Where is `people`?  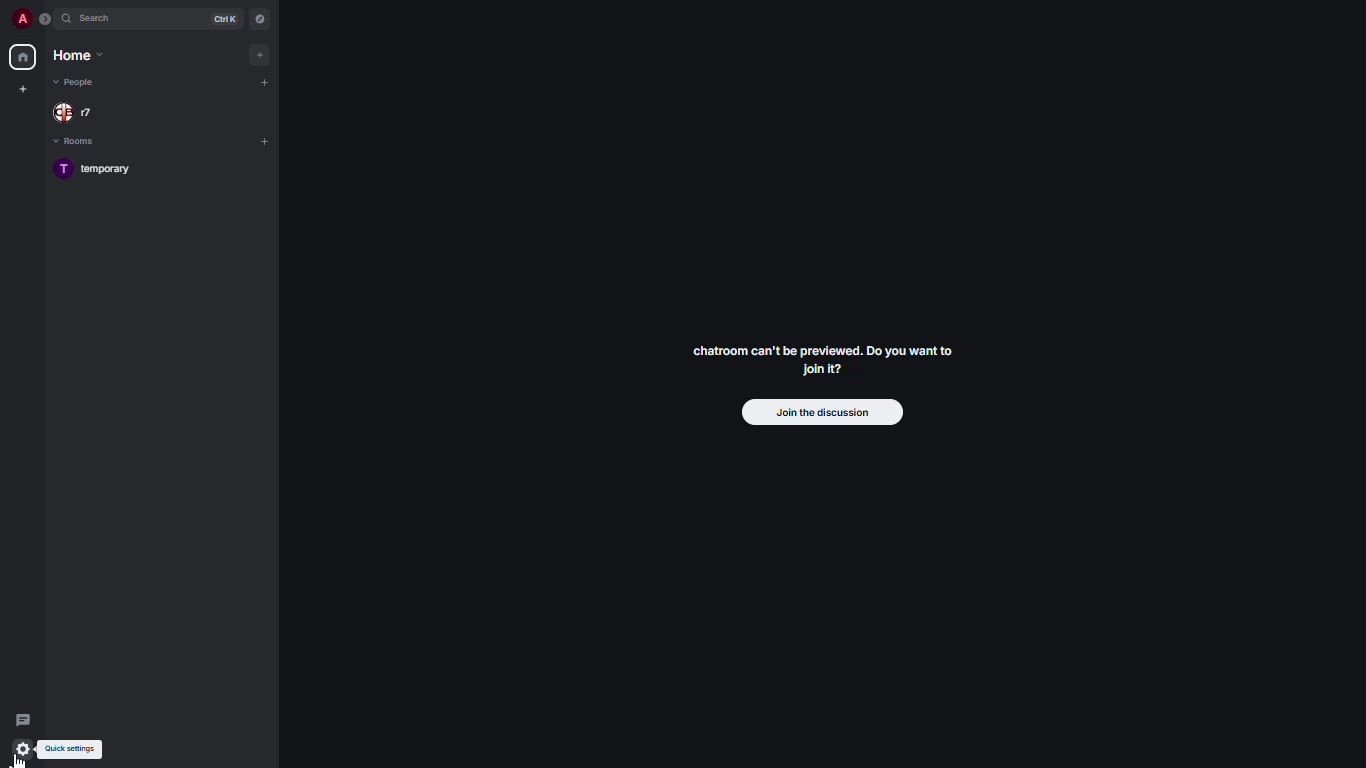 people is located at coordinates (78, 82).